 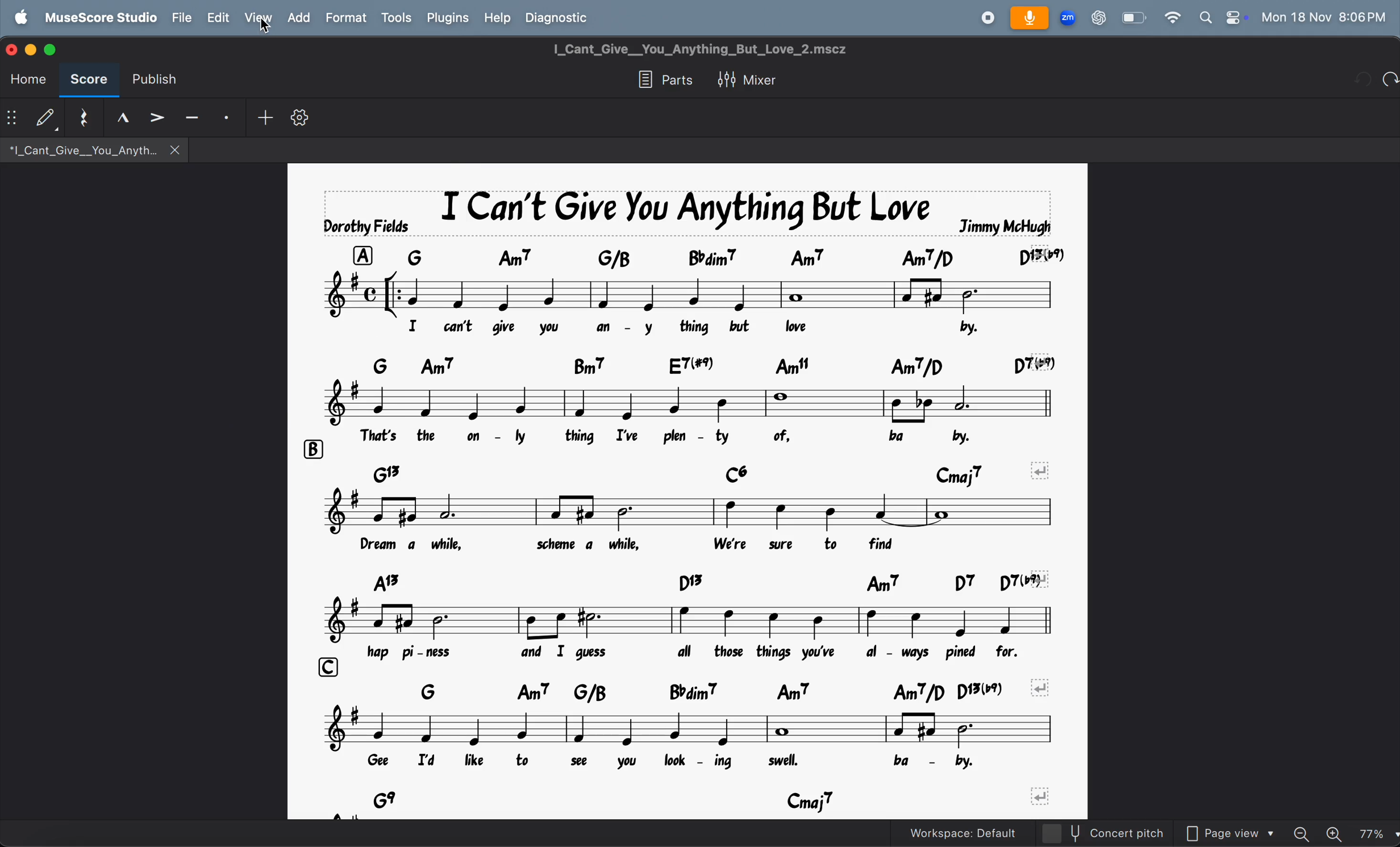 What do you see at coordinates (729, 257) in the screenshot?
I see `chord symbol` at bounding box center [729, 257].